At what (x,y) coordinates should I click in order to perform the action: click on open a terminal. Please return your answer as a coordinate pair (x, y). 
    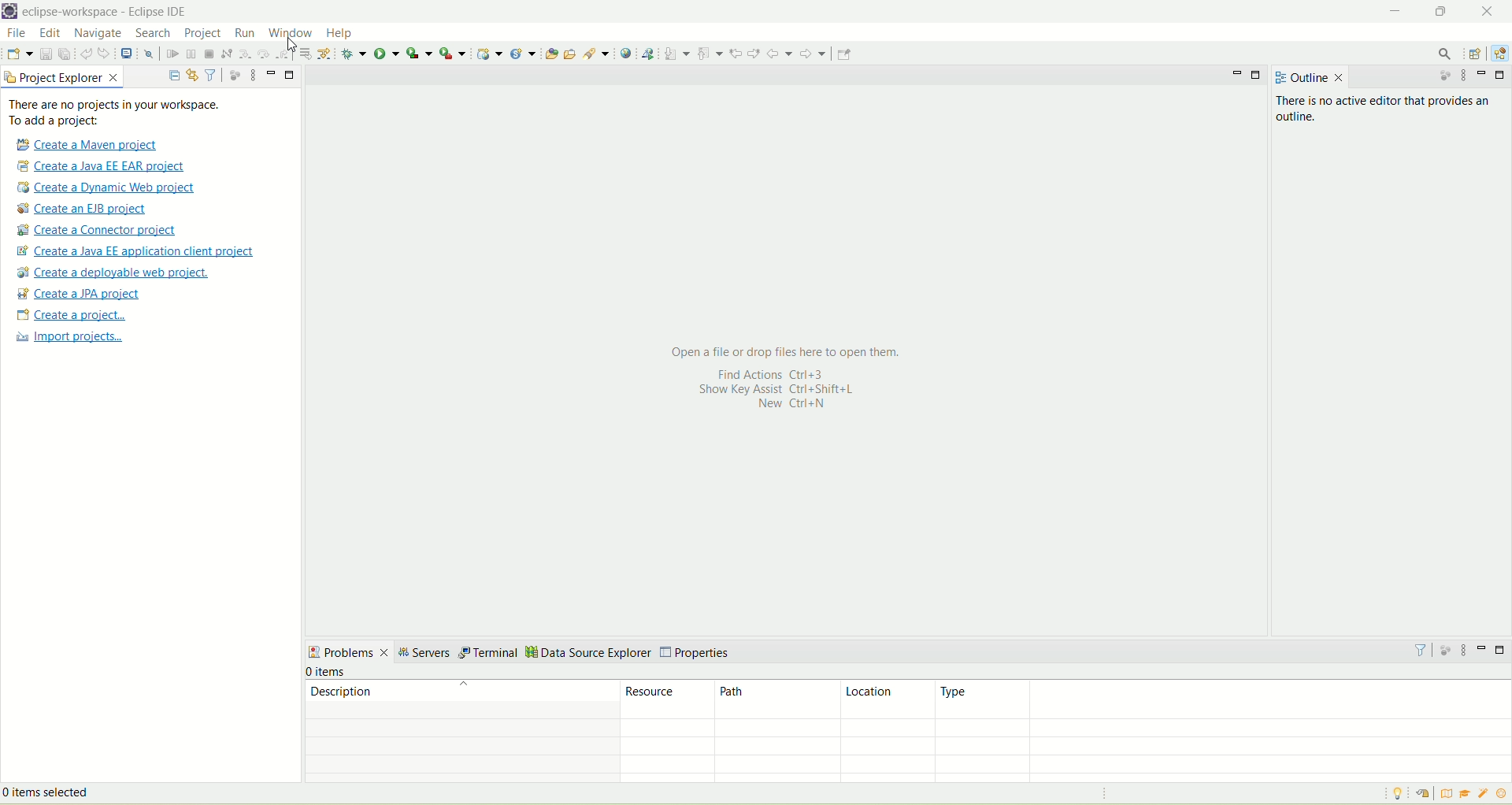
    Looking at the image, I should click on (126, 54).